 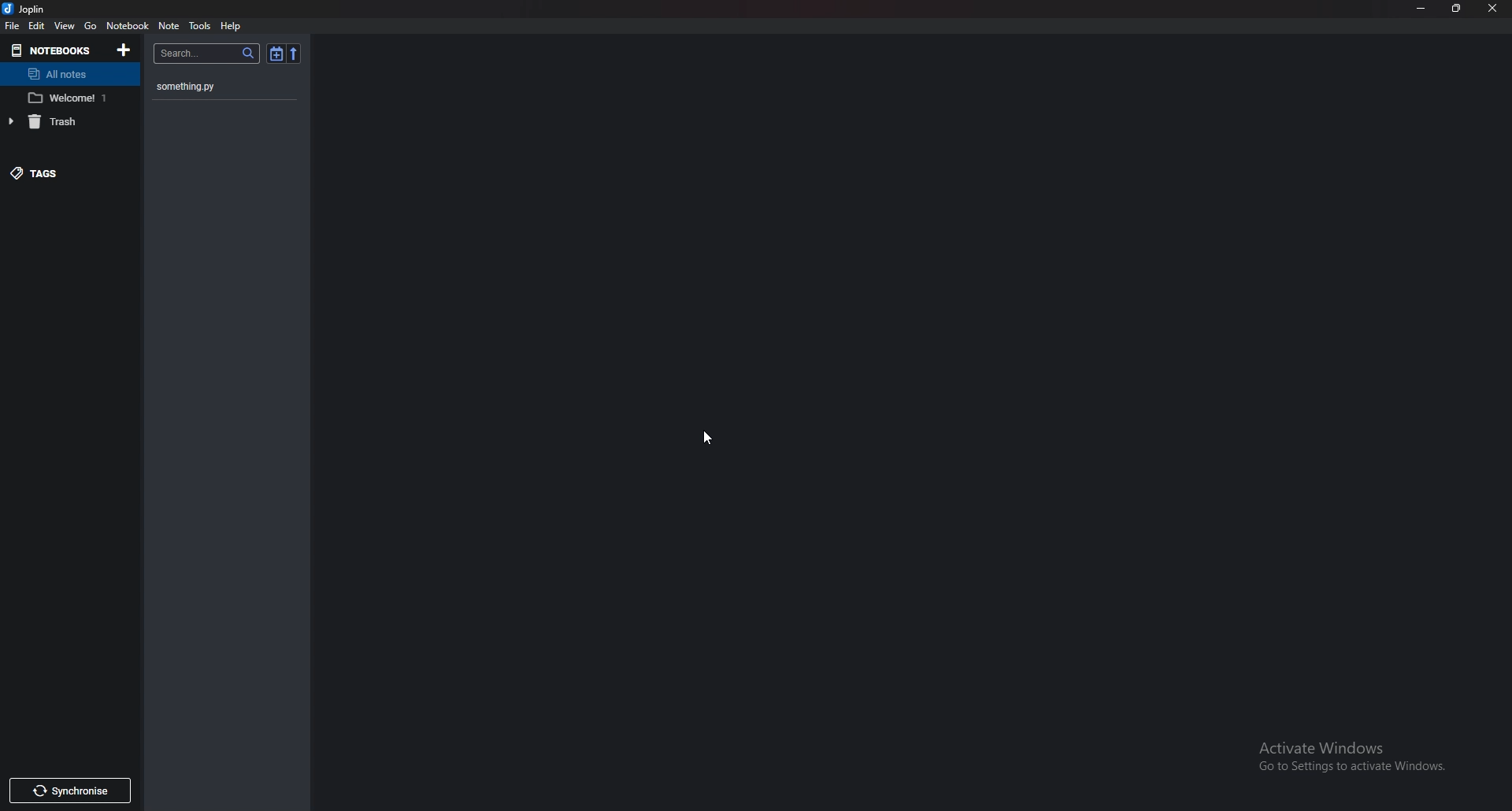 I want to click on Notebook, so click(x=127, y=27).